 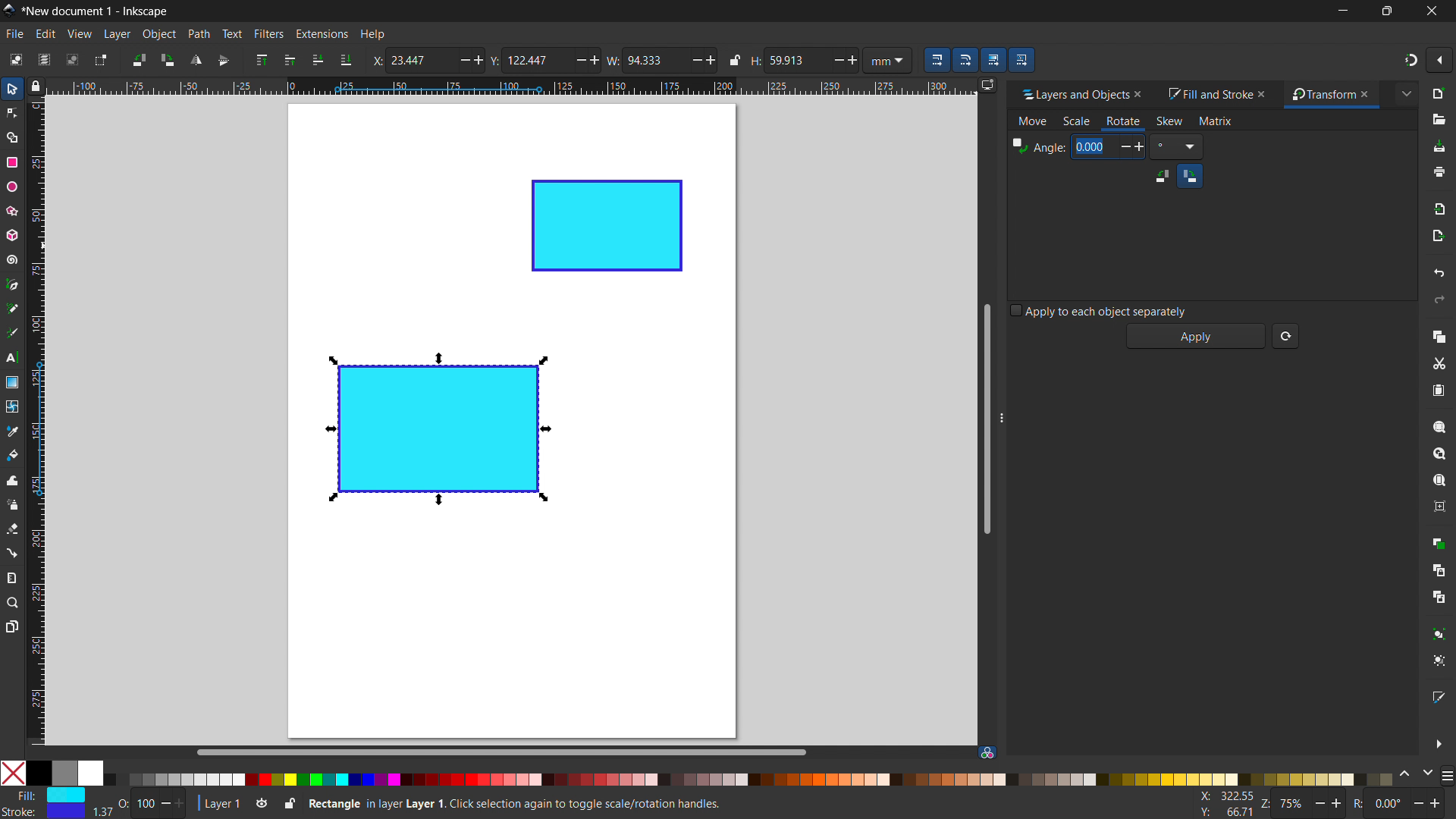 What do you see at coordinates (1440, 93) in the screenshot?
I see `new` at bounding box center [1440, 93].